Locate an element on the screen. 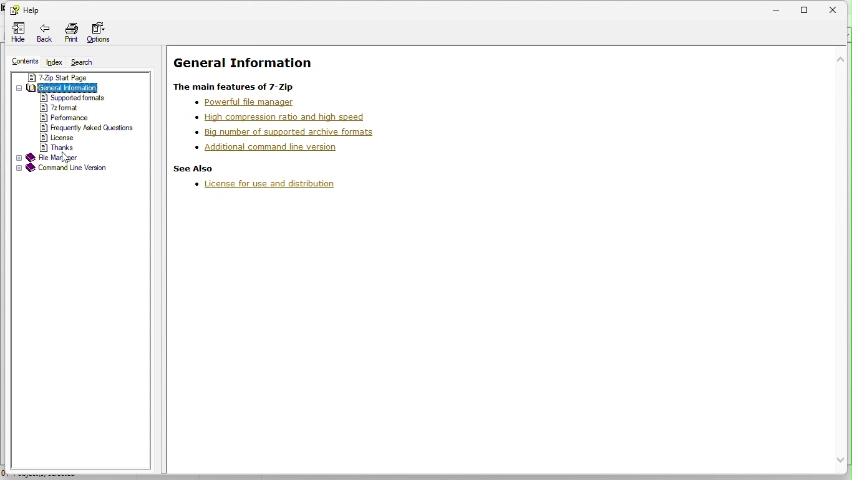  Big number of supported archive formats is located at coordinates (289, 130).